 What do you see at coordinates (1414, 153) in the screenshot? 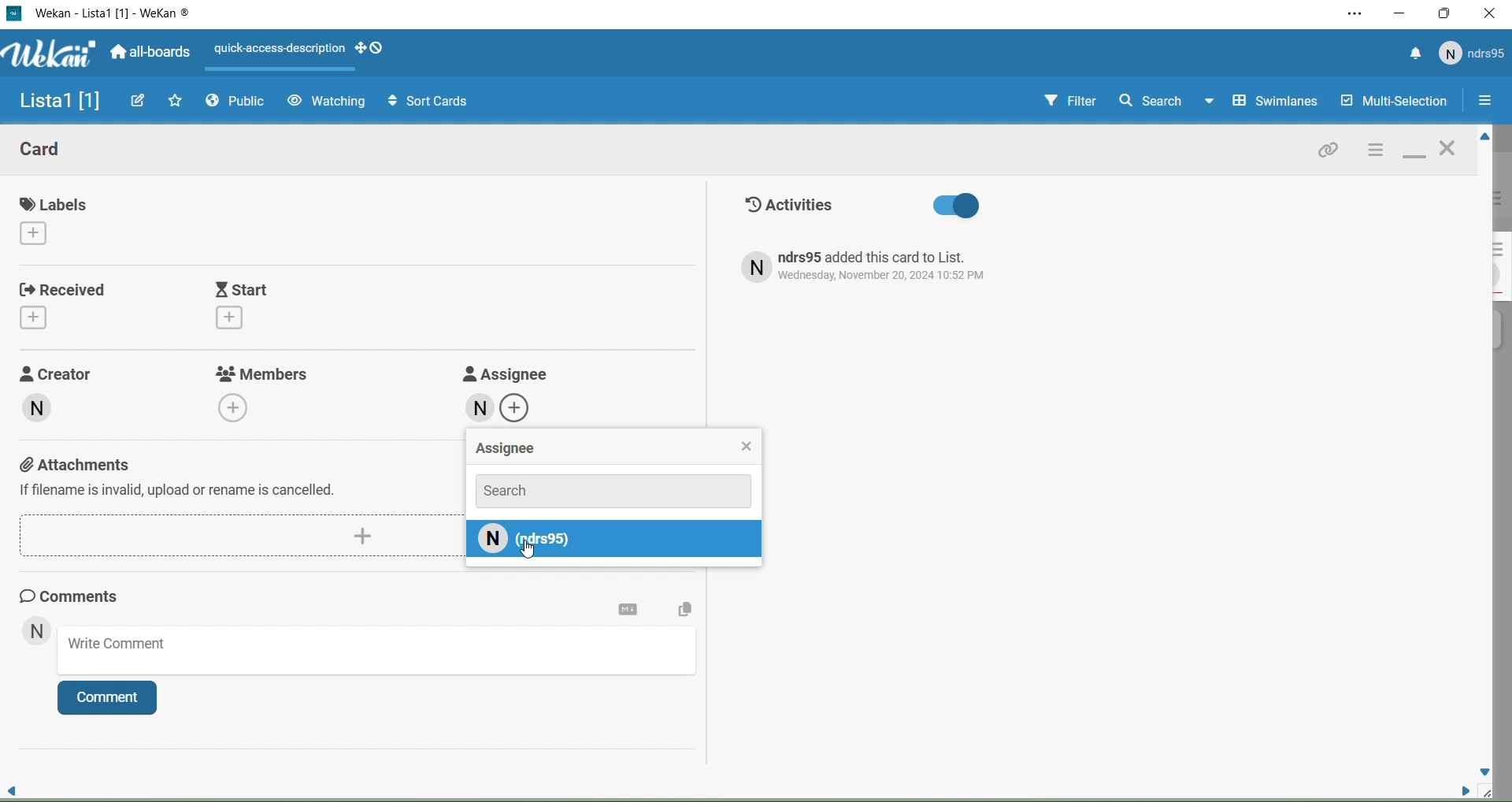
I see `minimise` at bounding box center [1414, 153].